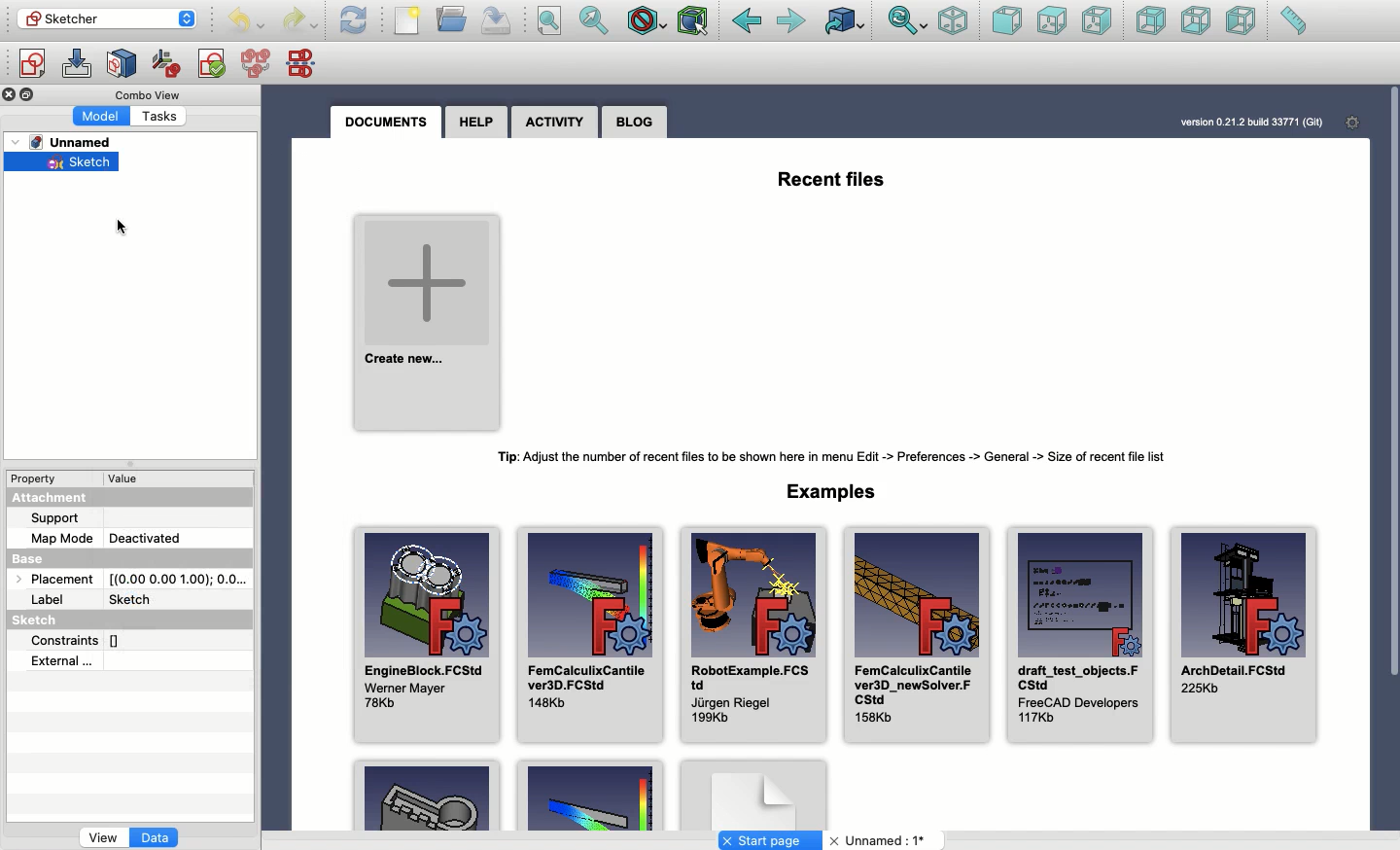 This screenshot has height=850, width=1400. I want to click on Sketch, so click(64, 164).